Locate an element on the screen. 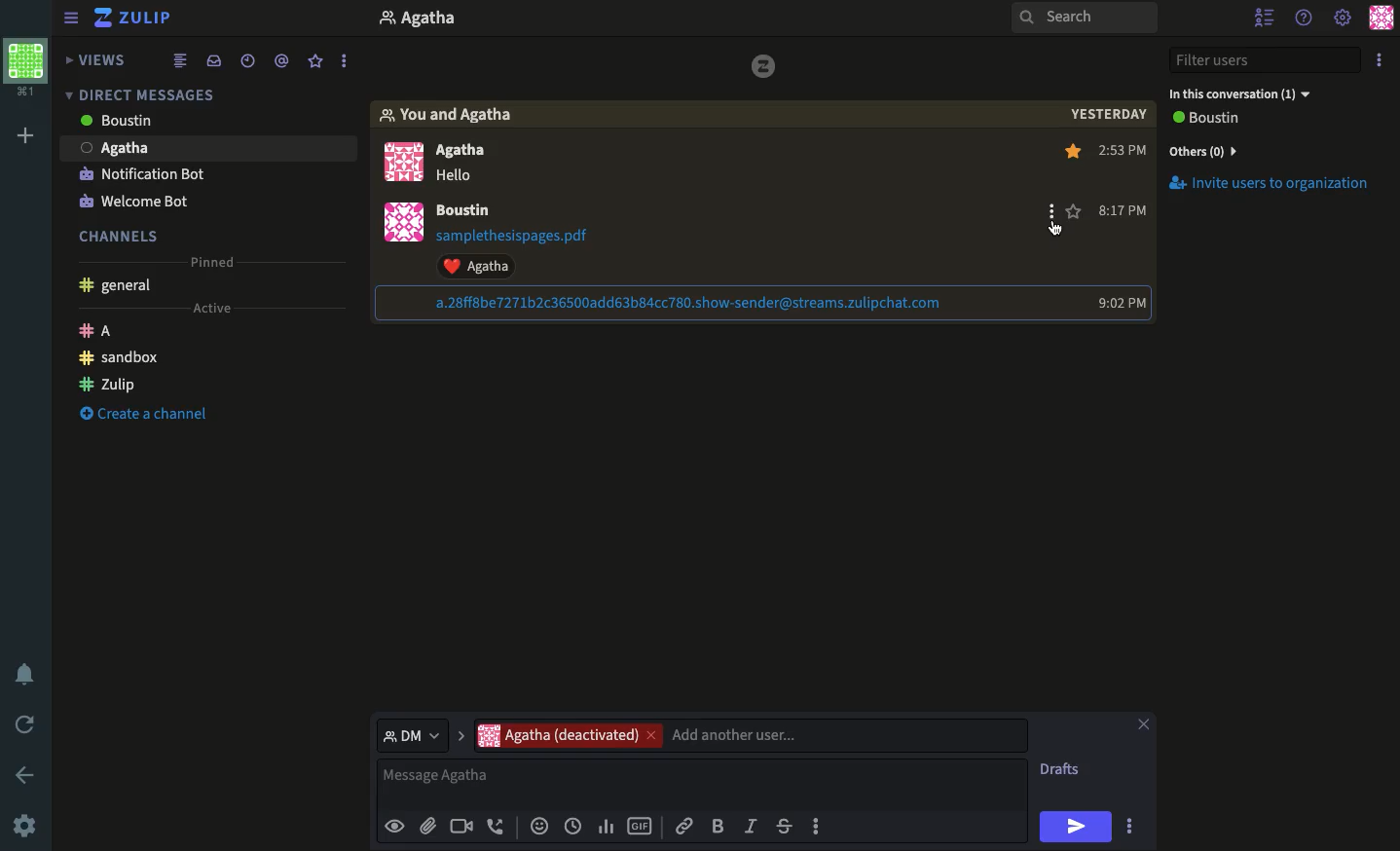 This screenshot has height=851, width=1400. Italics is located at coordinates (751, 825).